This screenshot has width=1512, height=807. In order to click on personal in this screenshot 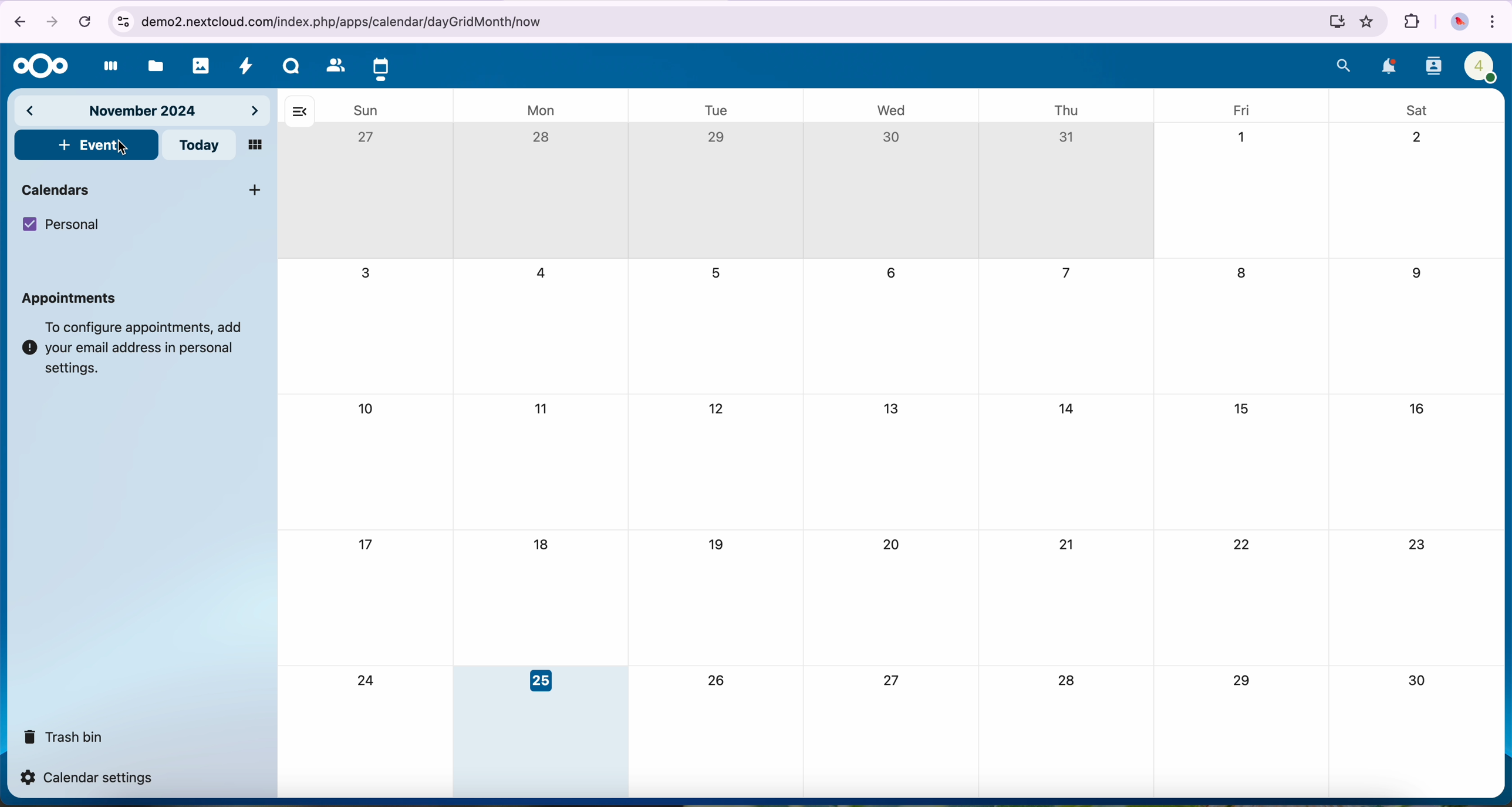, I will do `click(61, 225)`.